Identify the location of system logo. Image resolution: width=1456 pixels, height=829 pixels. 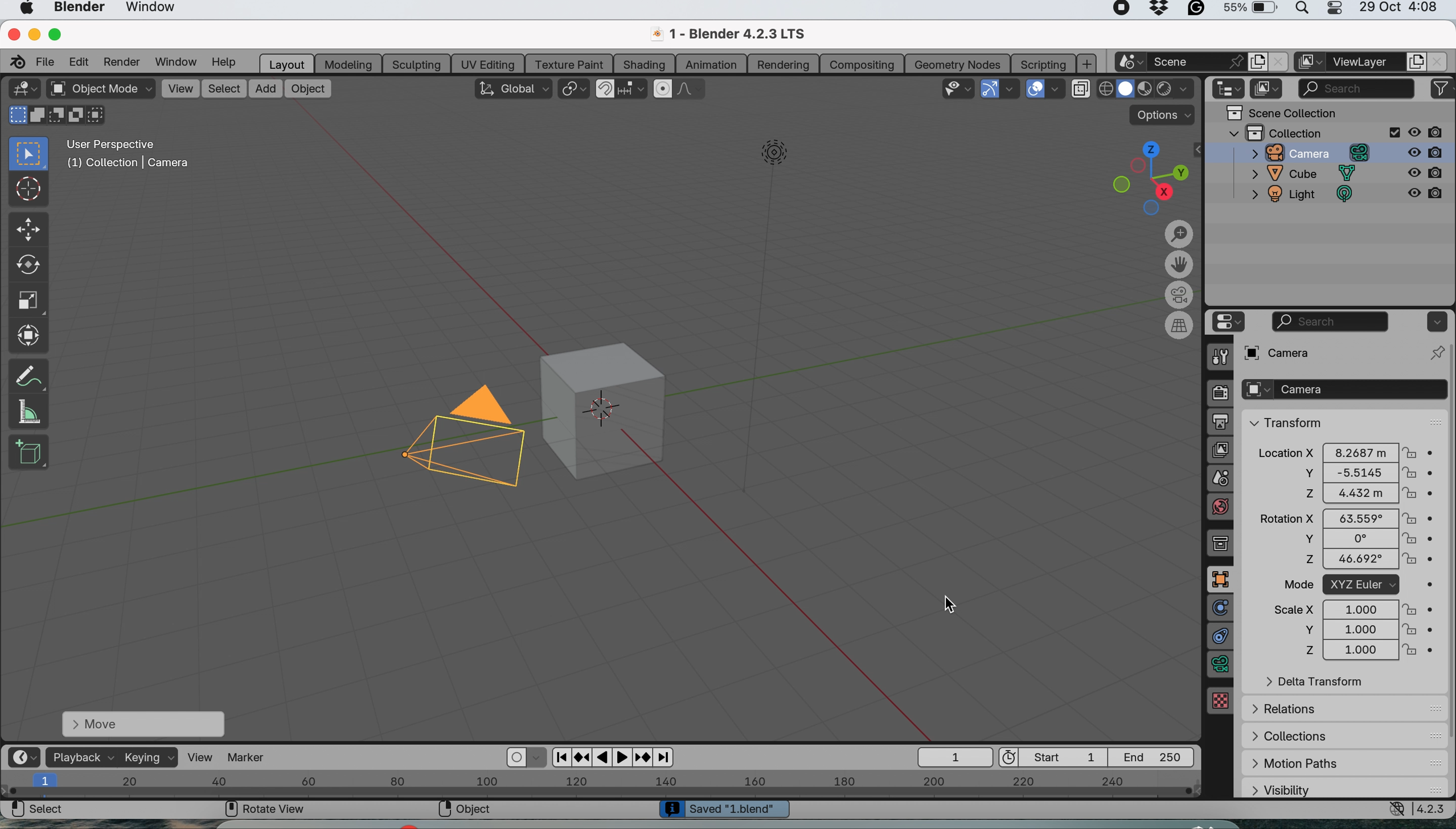
(26, 9).